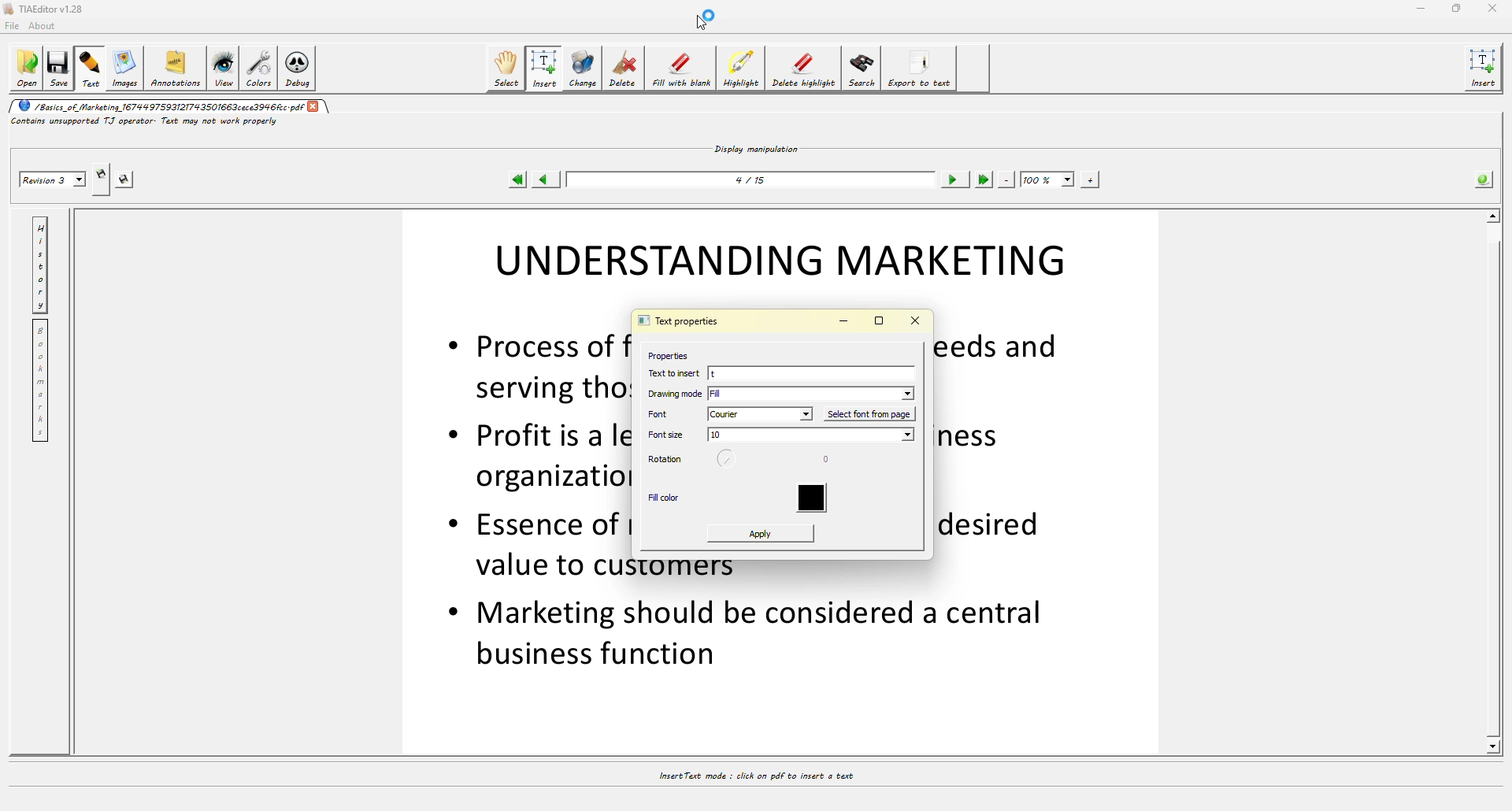 The image size is (1512, 811). I want to click on color, so click(817, 499).